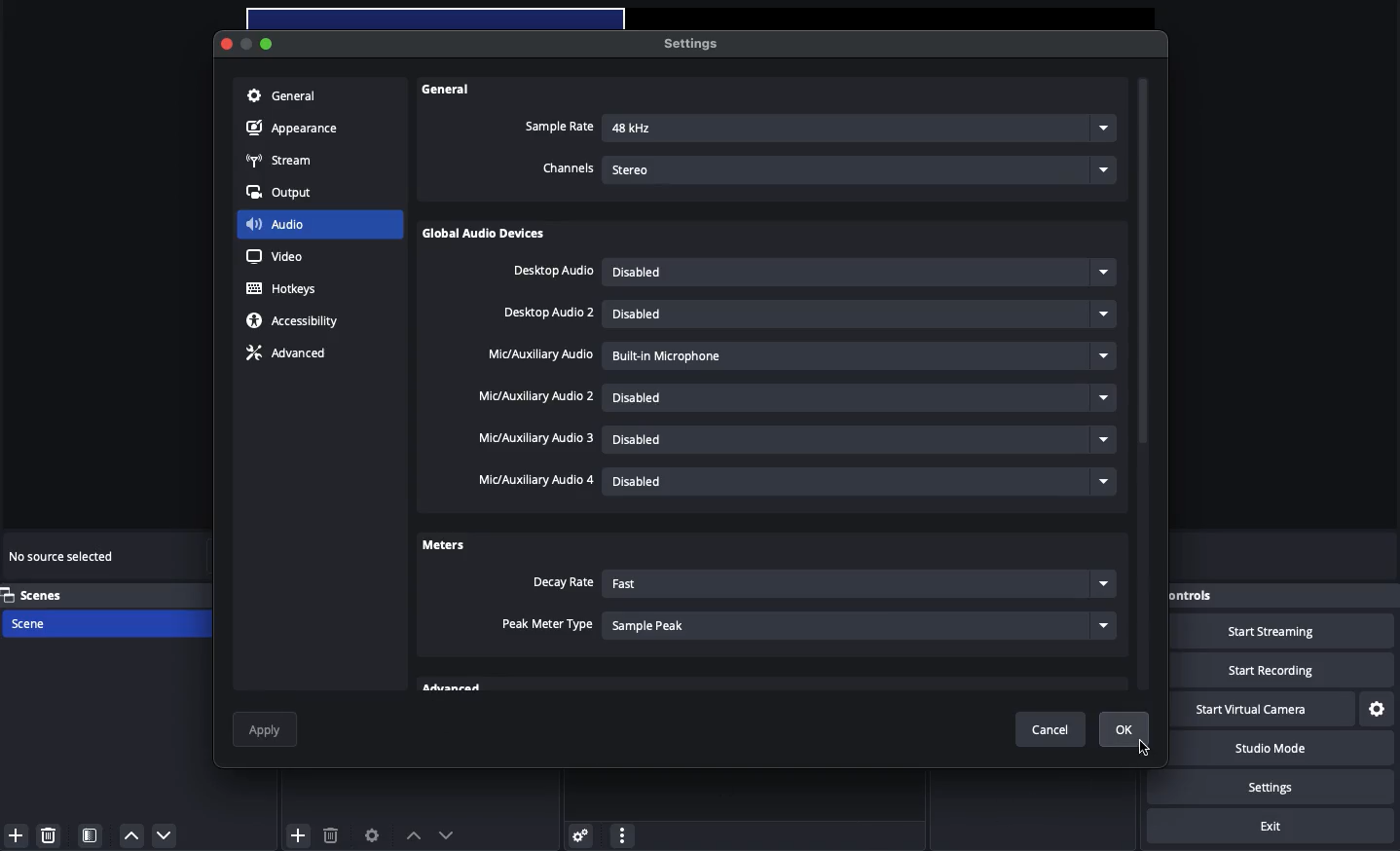  I want to click on Cancel, so click(1055, 730).